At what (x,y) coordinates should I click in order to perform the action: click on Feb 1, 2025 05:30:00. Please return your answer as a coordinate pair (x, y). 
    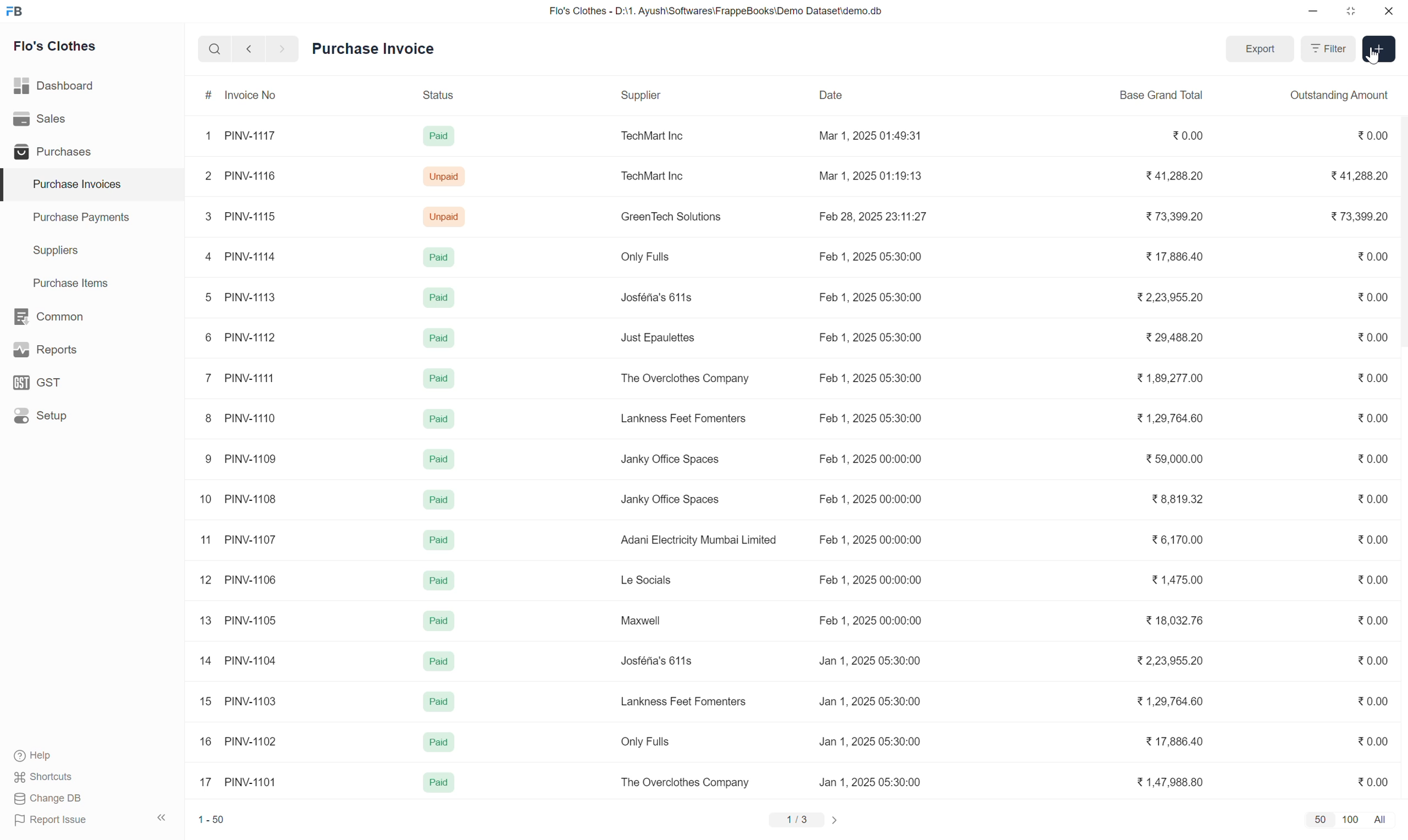
    Looking at the image, I should click on (869, 256).